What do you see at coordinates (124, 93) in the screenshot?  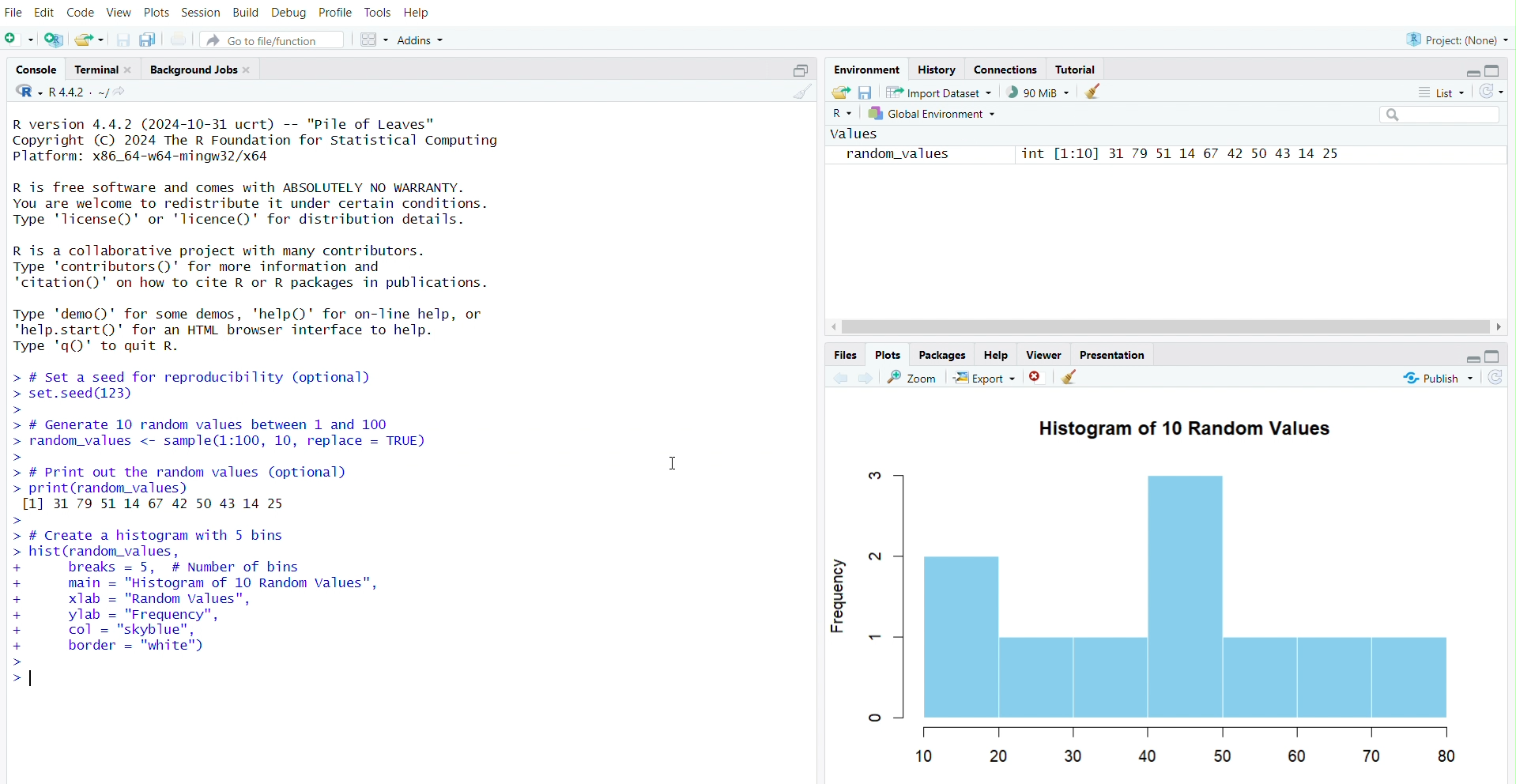 I see `view the current working diirectory` at bounding box center [124, 93].